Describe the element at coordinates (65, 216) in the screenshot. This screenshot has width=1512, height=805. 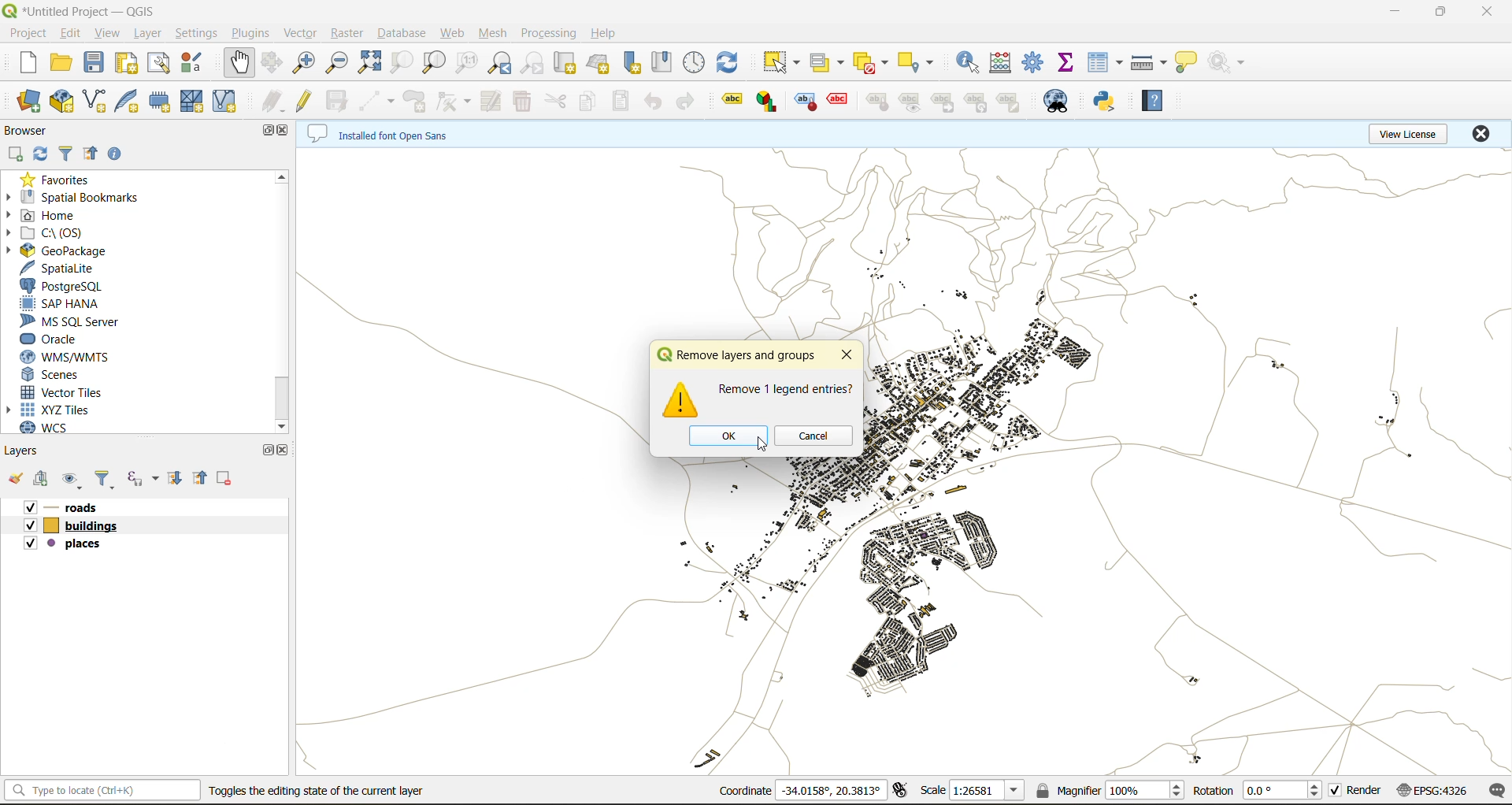
I see `home` at that location.